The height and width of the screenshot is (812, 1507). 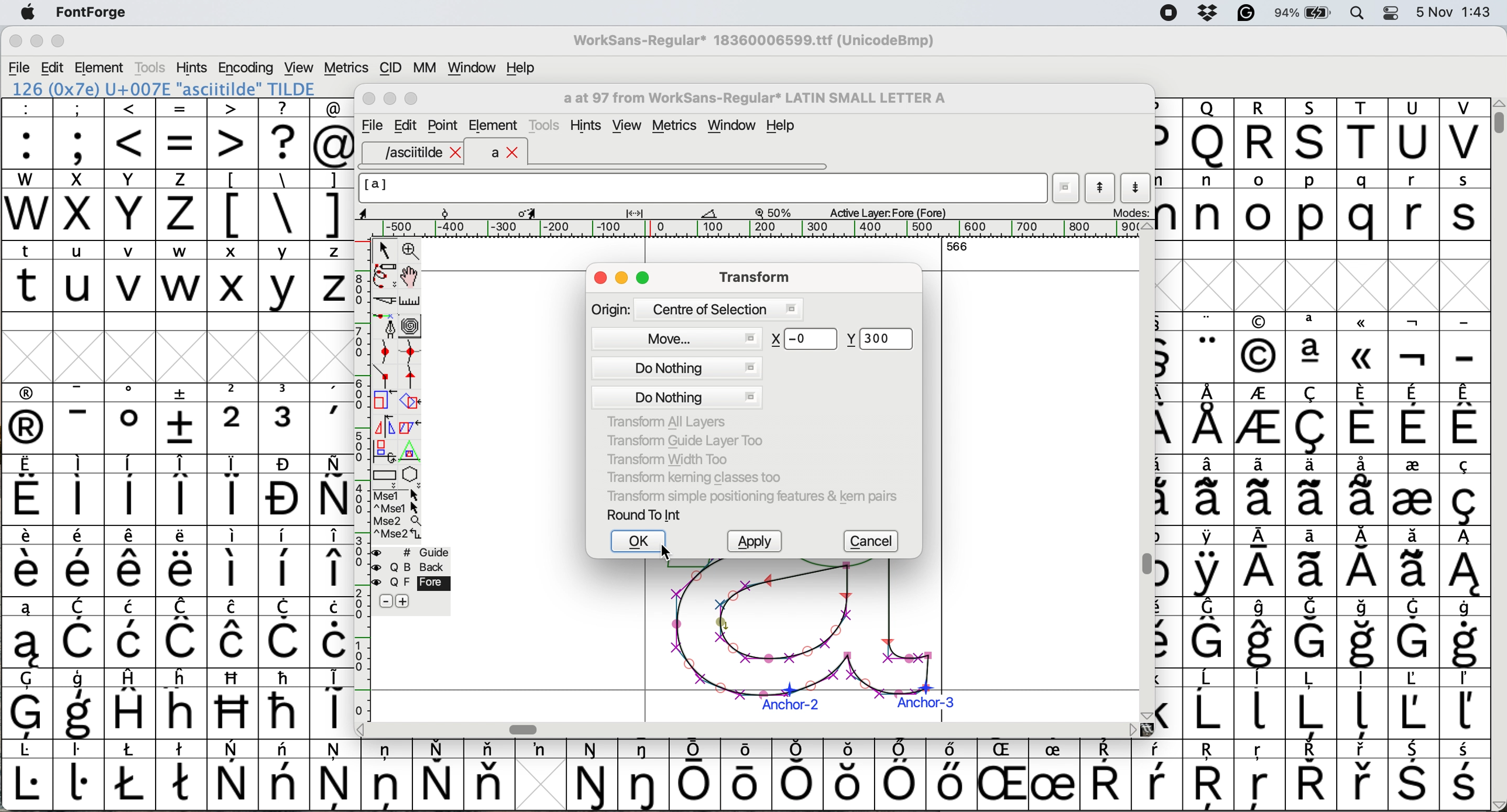 What do you see at coordinates (438, 775) in the screenshot?
I see `symbol` at bounding box center [438, 775].